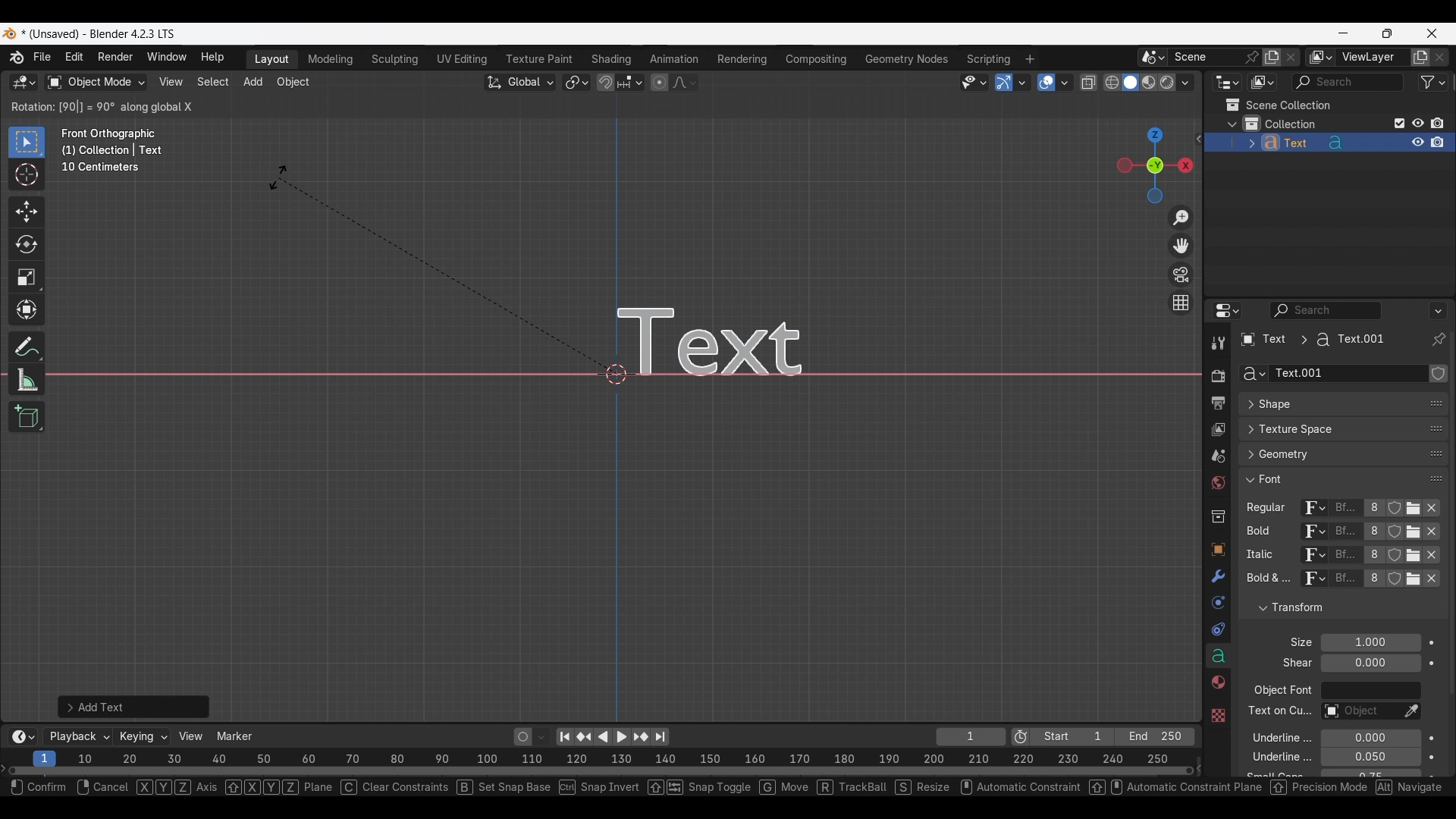 The width and height of the screenshot is (1456, 819). What do you see at coordinates (1218, 343) in the screenshot?
I see `Tool` at bounding box center [1218, 343].